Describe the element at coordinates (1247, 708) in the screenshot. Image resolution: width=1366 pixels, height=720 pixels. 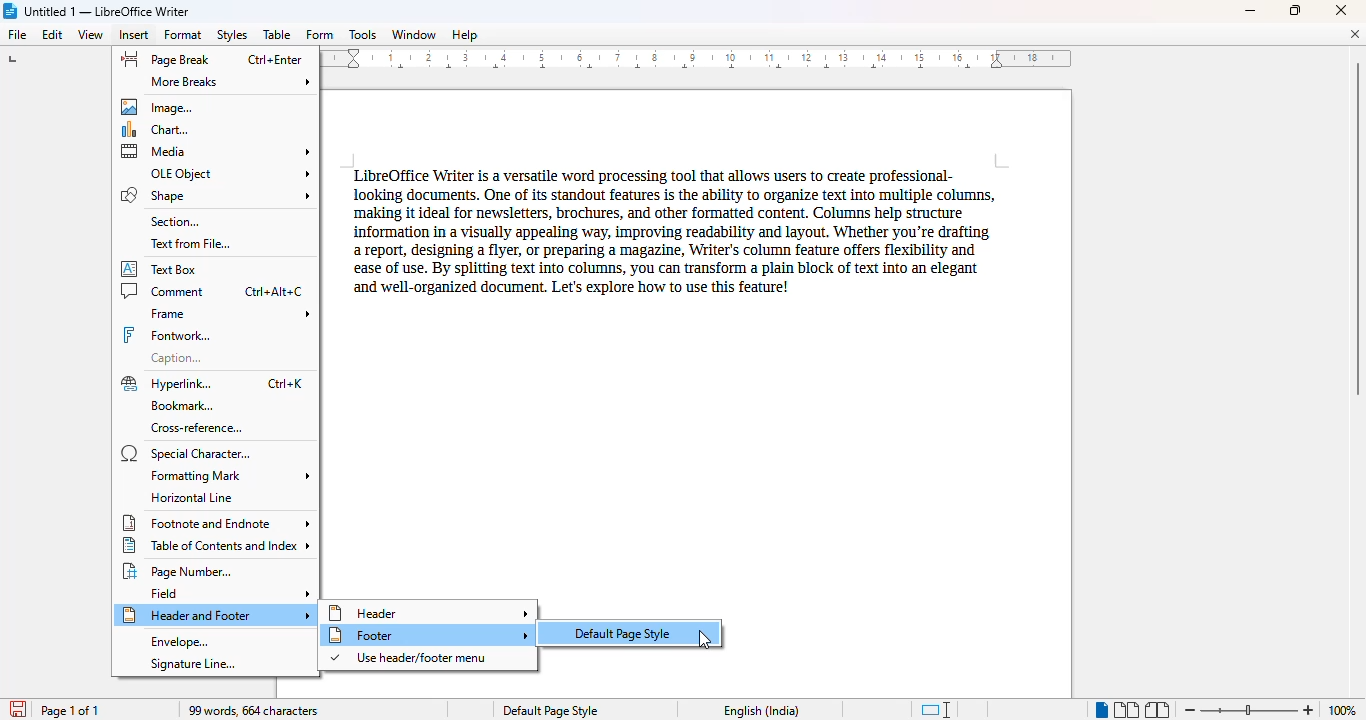
I see `change zoom level` at that location.